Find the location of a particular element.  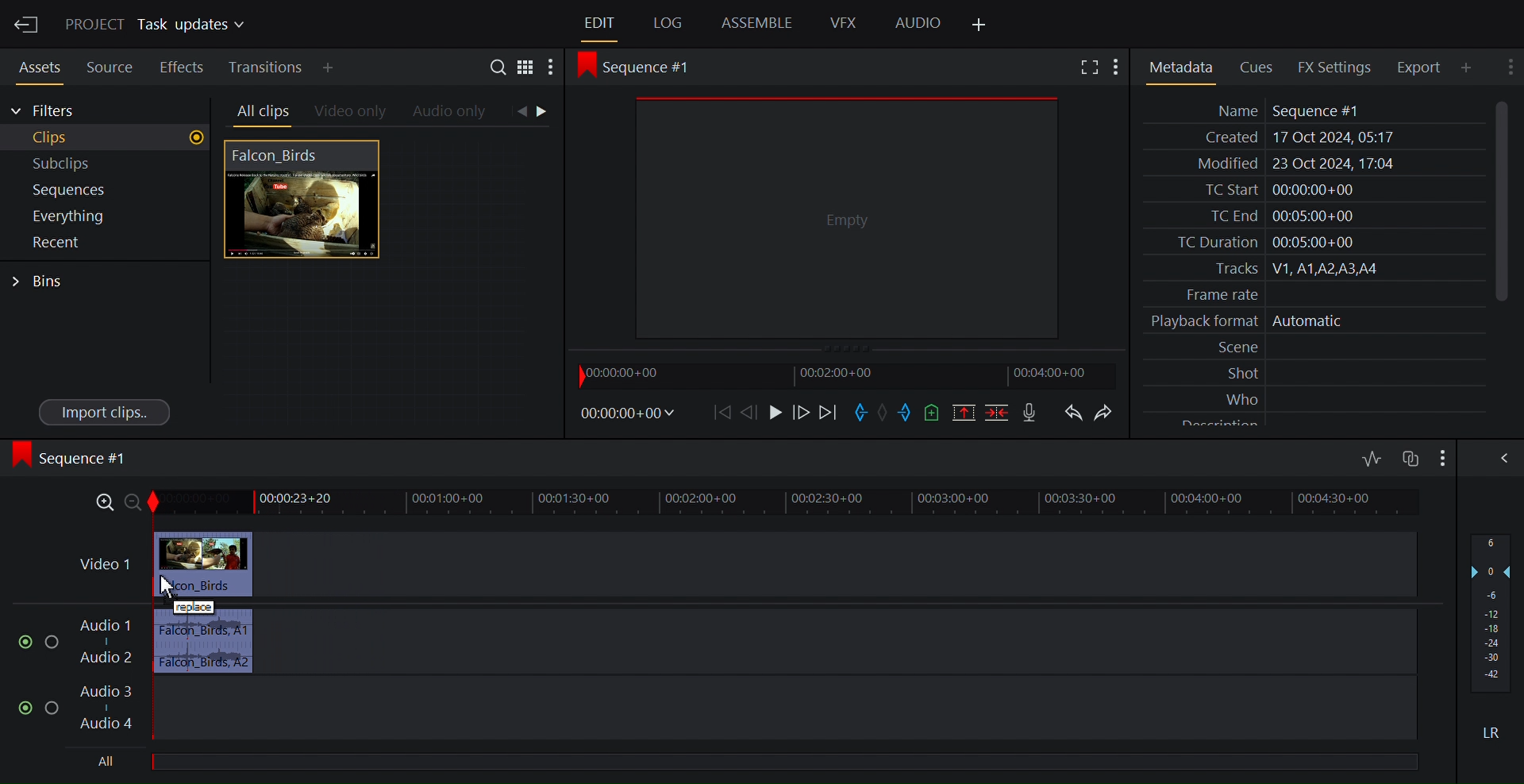

Show settings menu is located at coordinates (550, 69).